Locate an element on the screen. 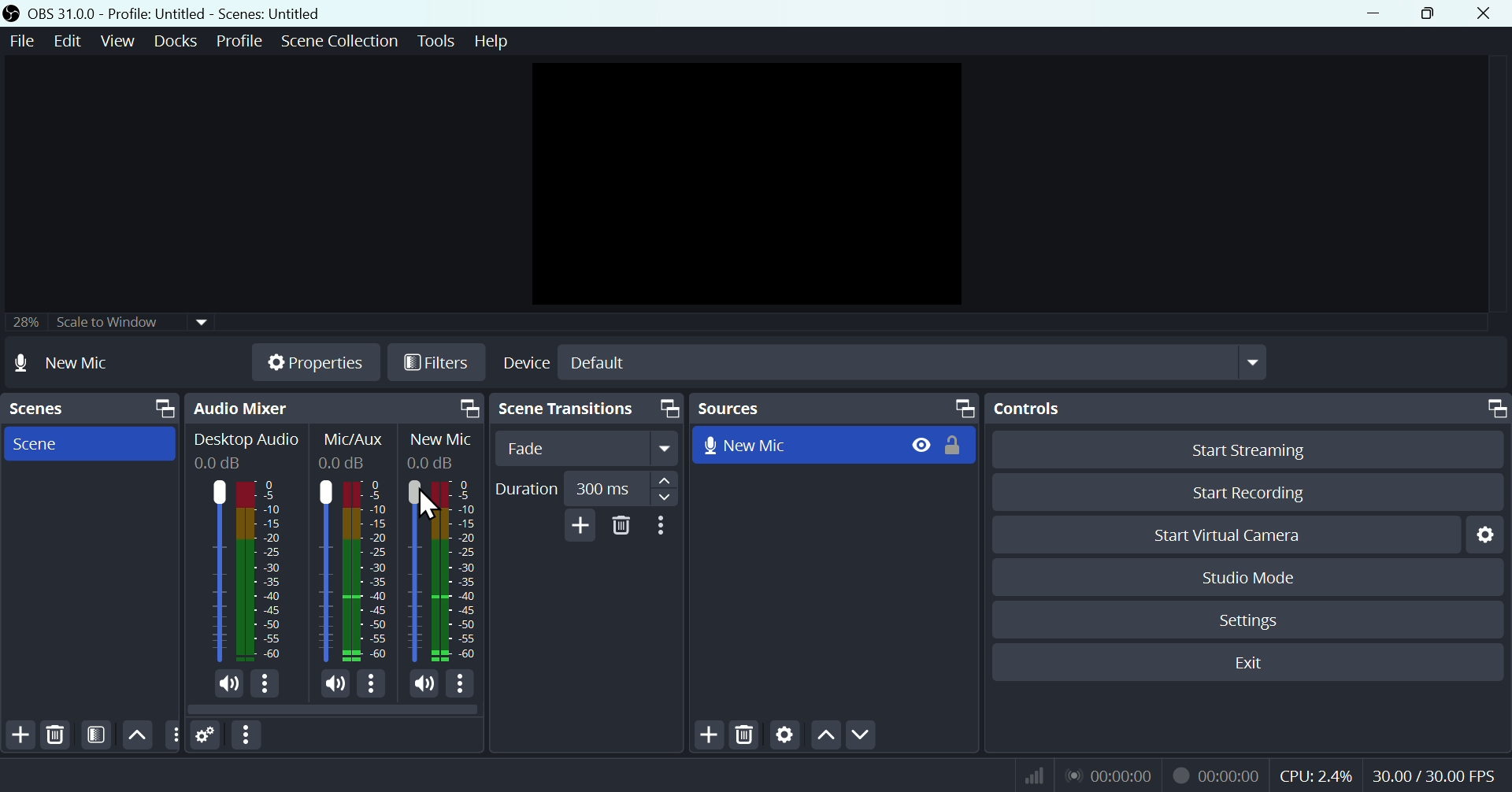  New Mic is located at coordinates (795, 443).